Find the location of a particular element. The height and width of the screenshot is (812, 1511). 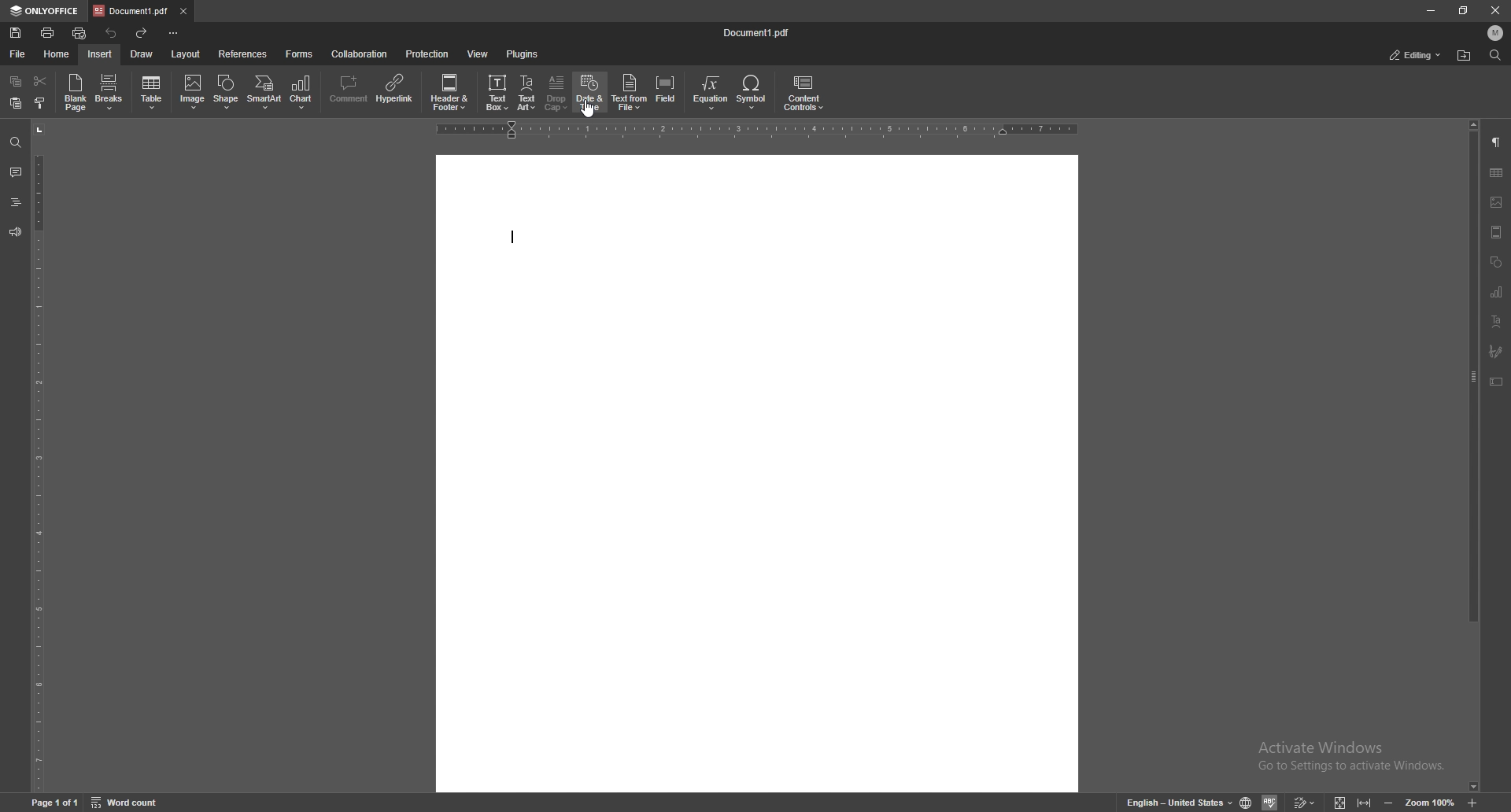

home is located at coordinates (58, 55).